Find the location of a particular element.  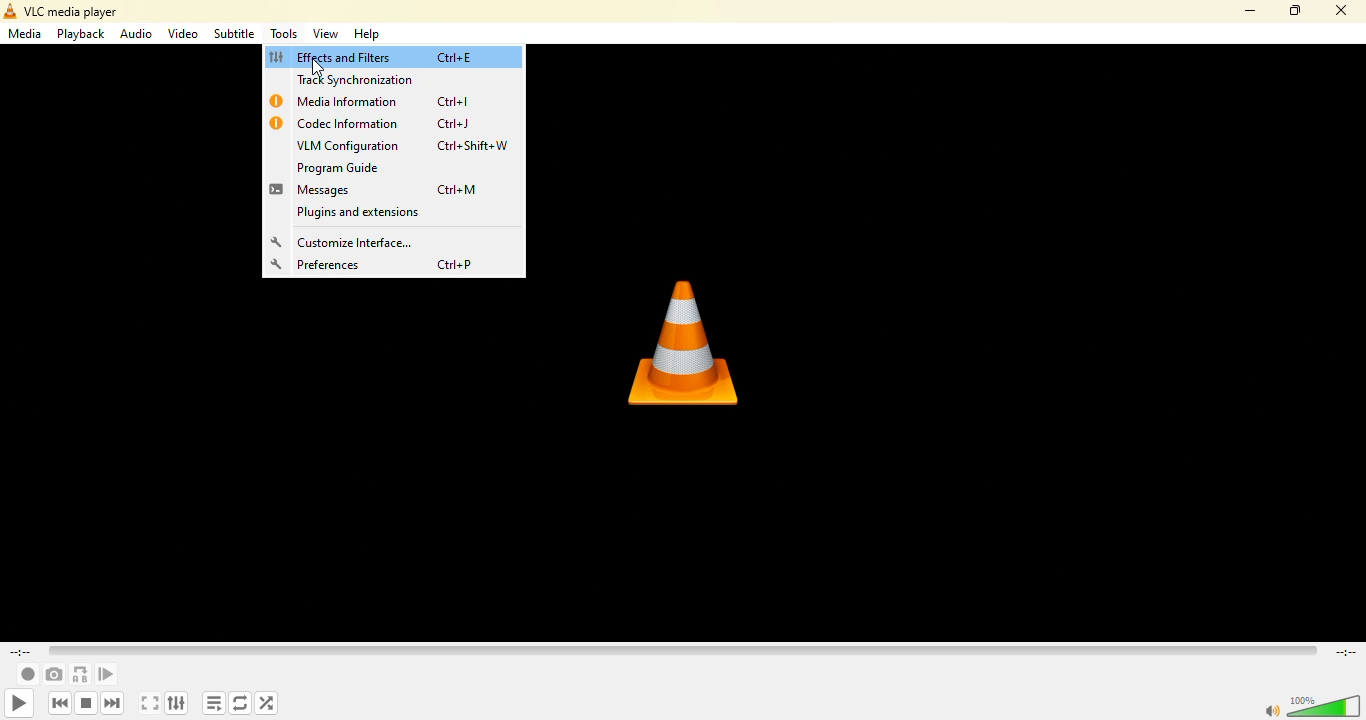

random is located at coordinates (267, 700).